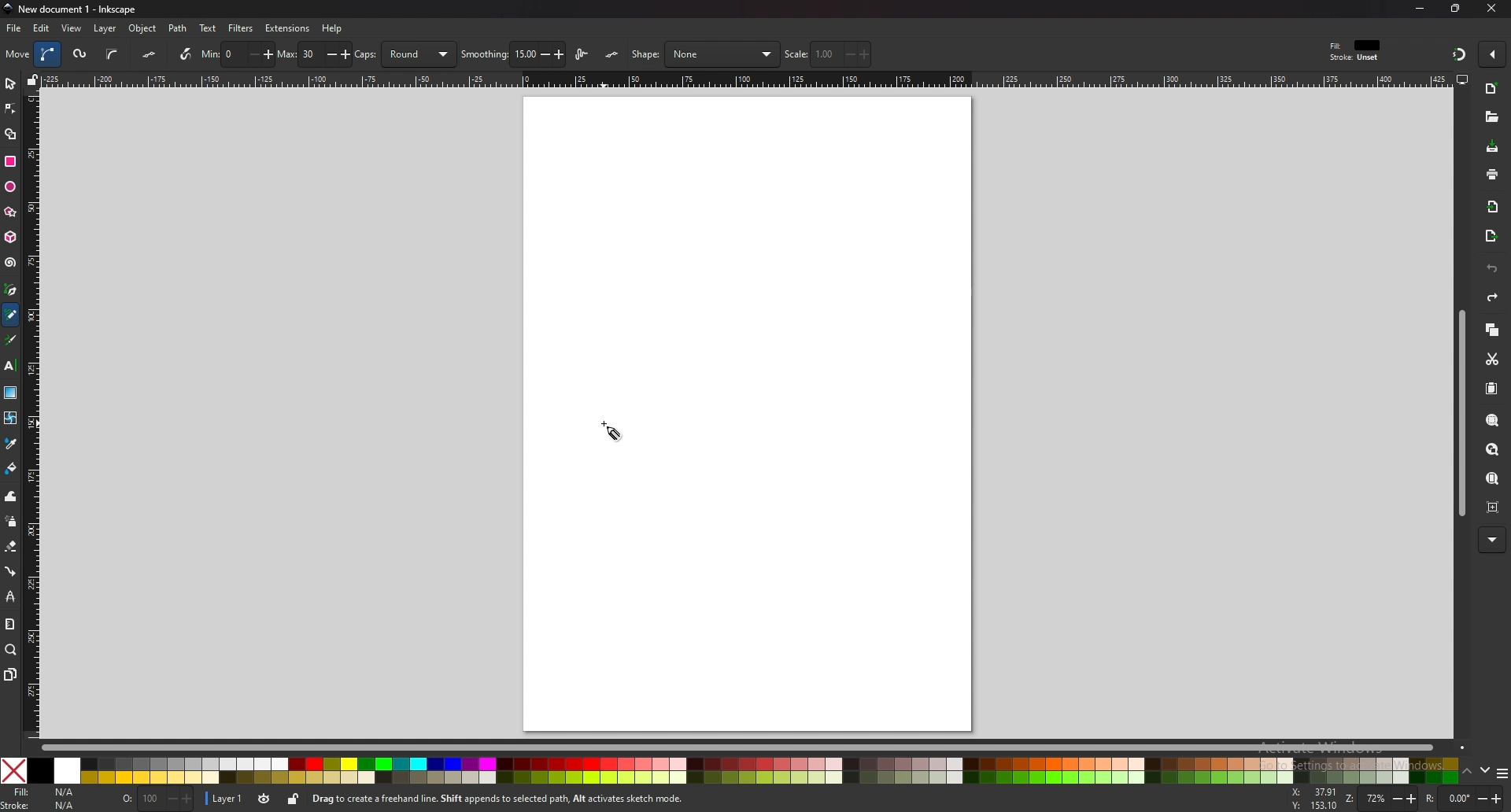 The image size is (1511, 812). I want to click on fill and stroke, so click(1356, 49).